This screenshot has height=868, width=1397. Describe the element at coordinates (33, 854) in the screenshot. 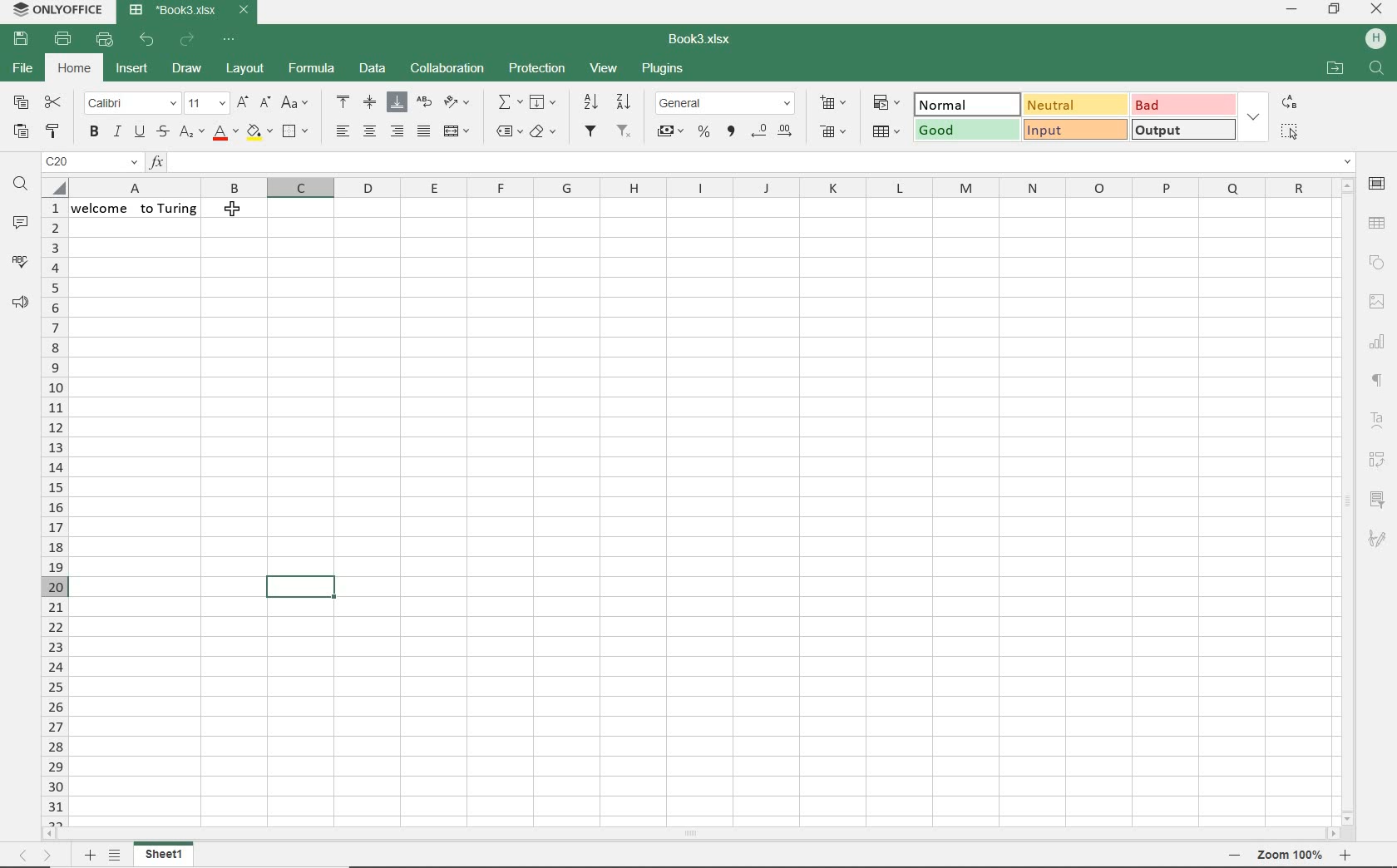

I see `move across sheets` at that location.